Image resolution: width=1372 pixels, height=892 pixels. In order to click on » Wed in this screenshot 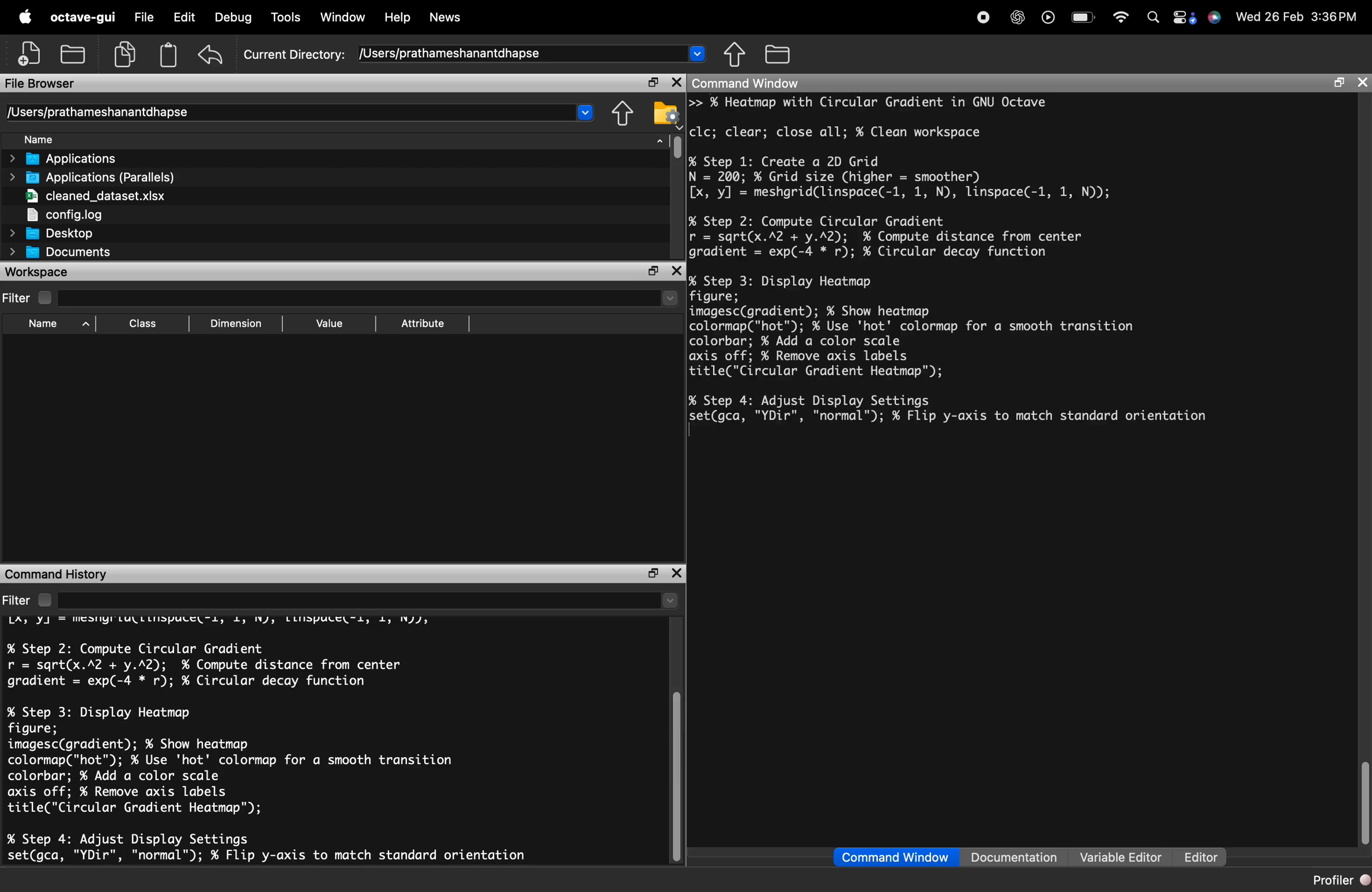, I will do `click(1246, 17)`.